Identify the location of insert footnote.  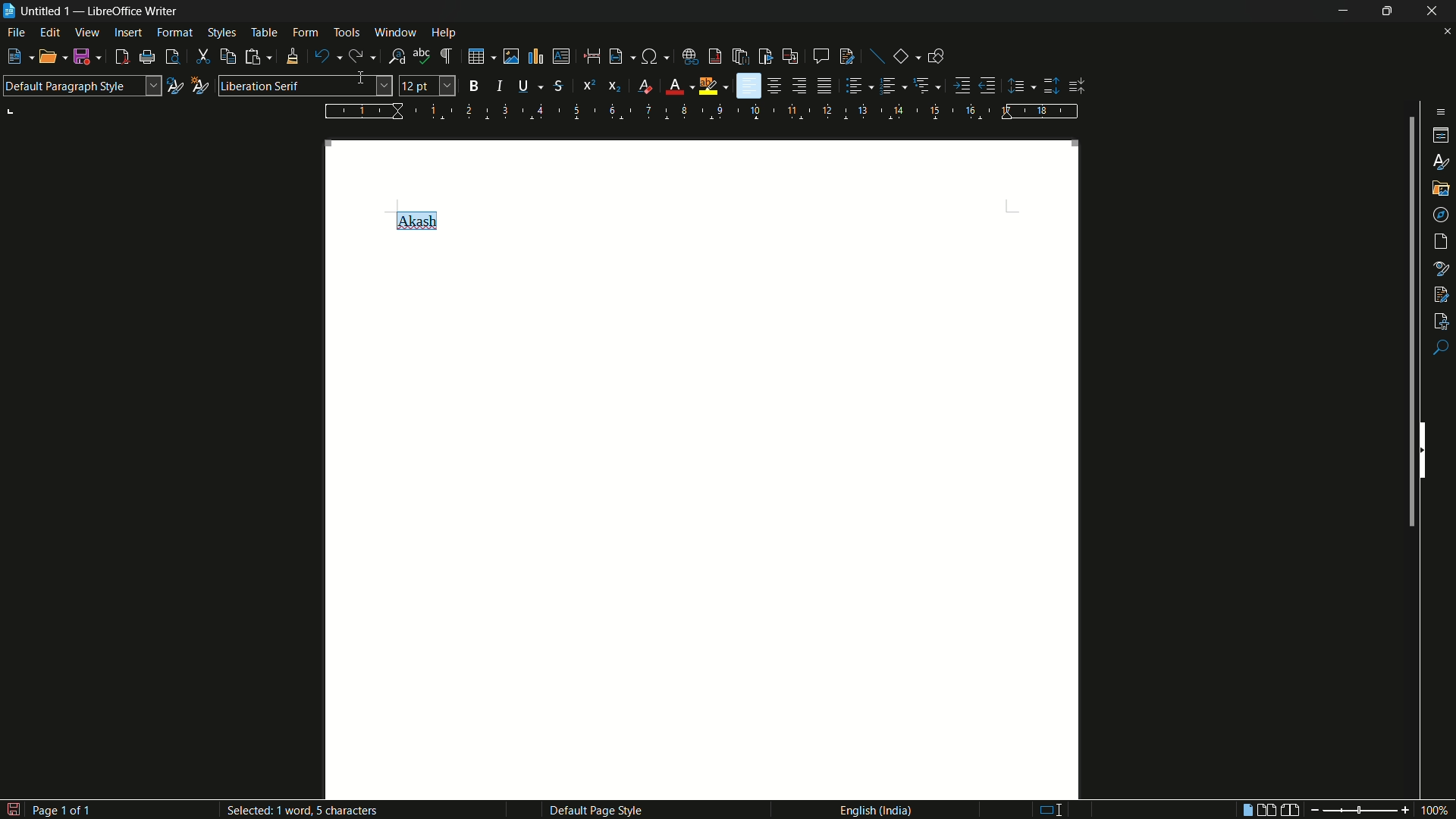
(716, 56).